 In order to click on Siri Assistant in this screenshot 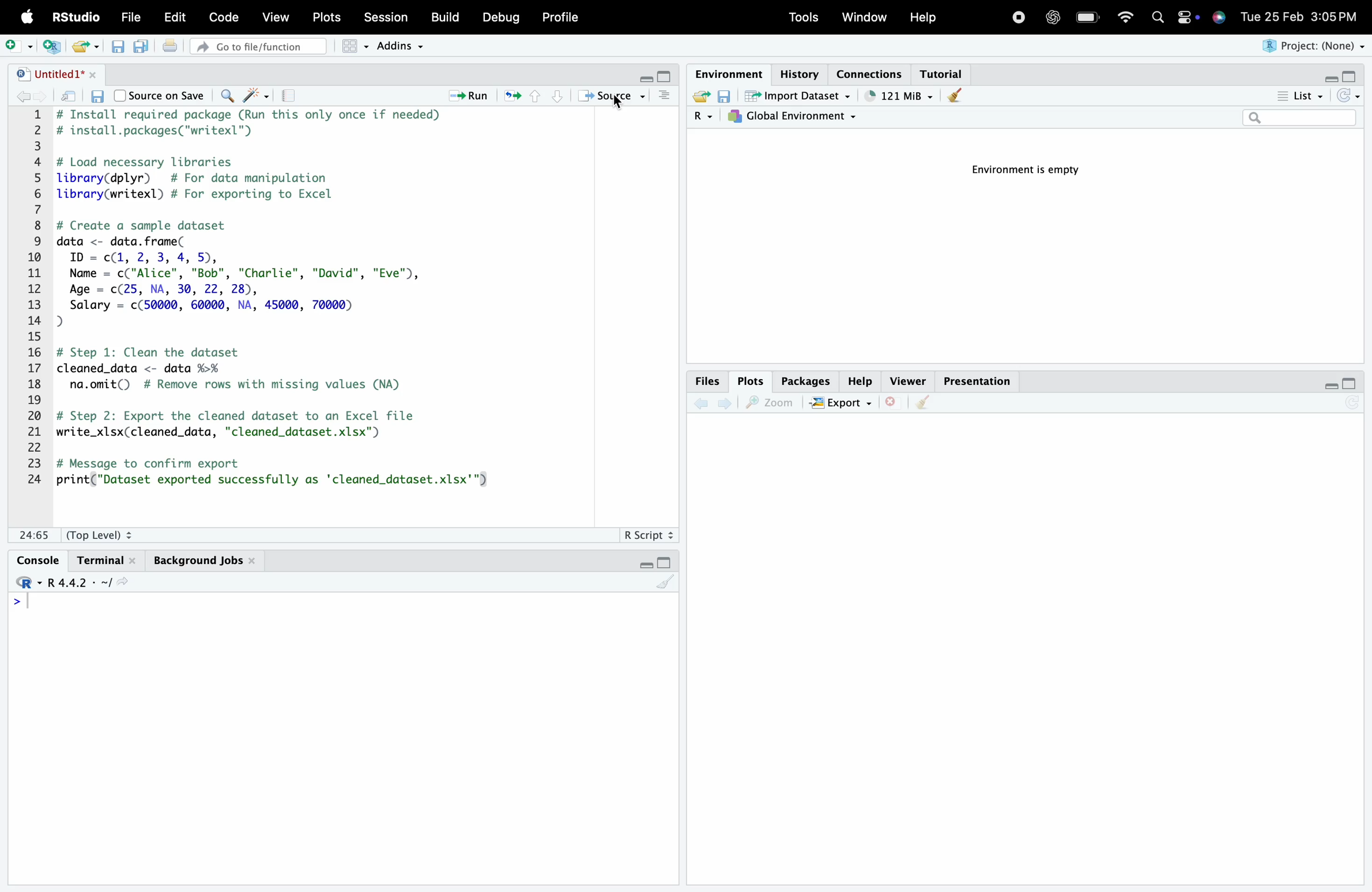, I will do `click(1218, 19)`.